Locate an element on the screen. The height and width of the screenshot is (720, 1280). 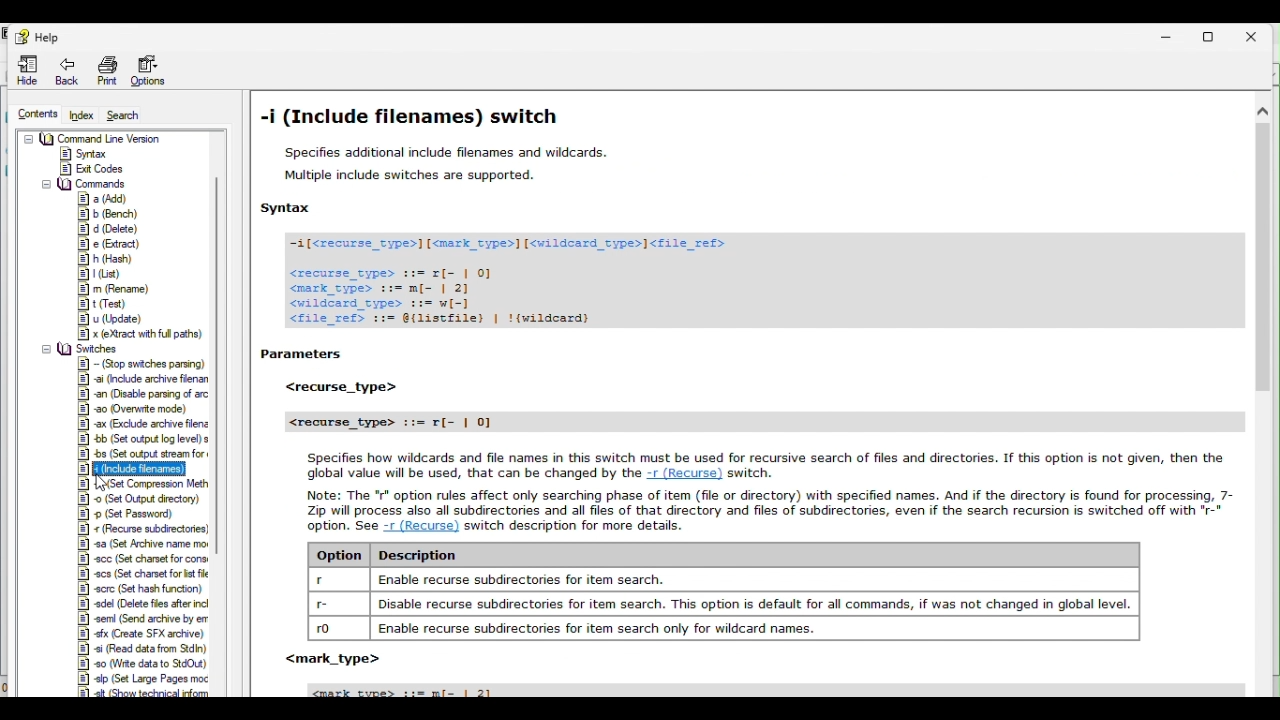
Recourse sub directories is located at coordinates (140, 529).